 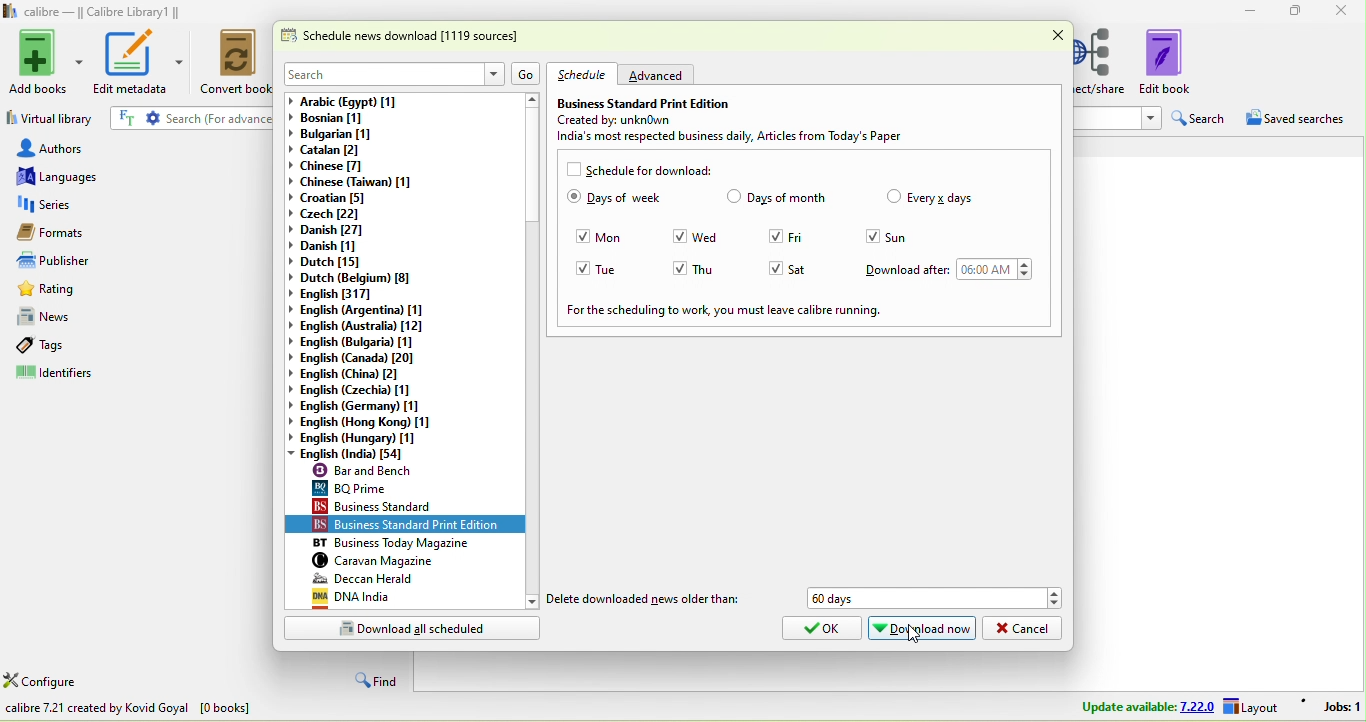 I want to click on 06:00 am, so click(x=987, y=270).